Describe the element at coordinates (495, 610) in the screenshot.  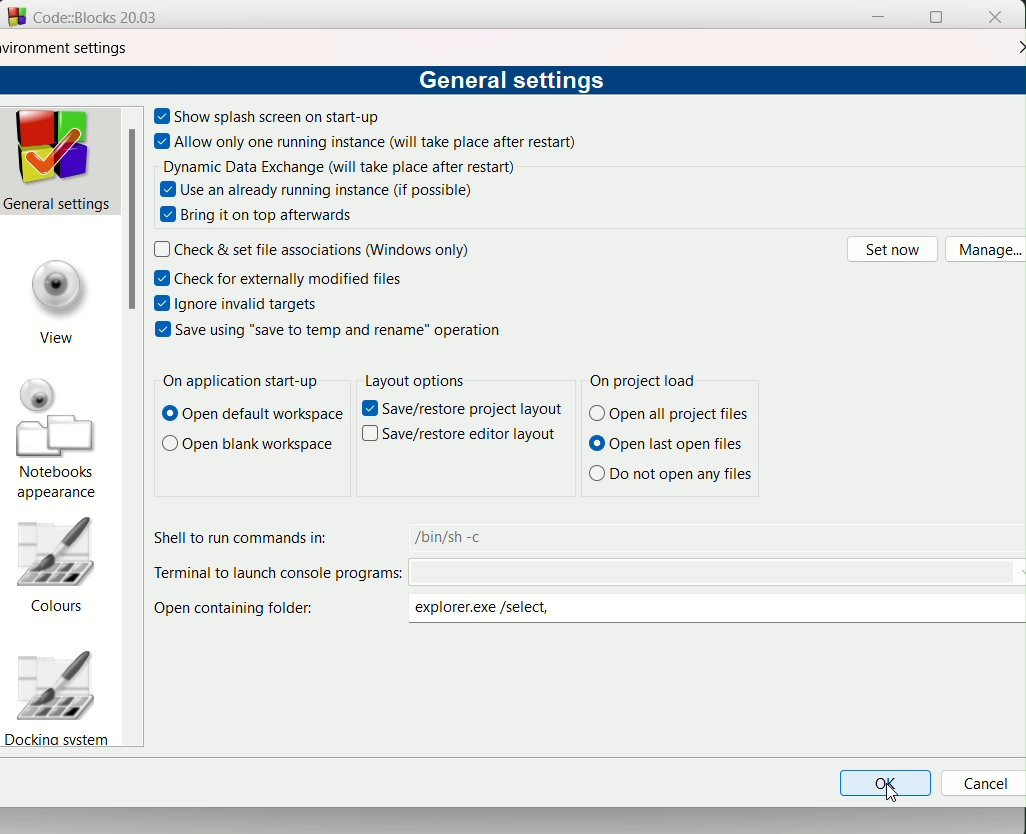
I see `folder path` at that location.